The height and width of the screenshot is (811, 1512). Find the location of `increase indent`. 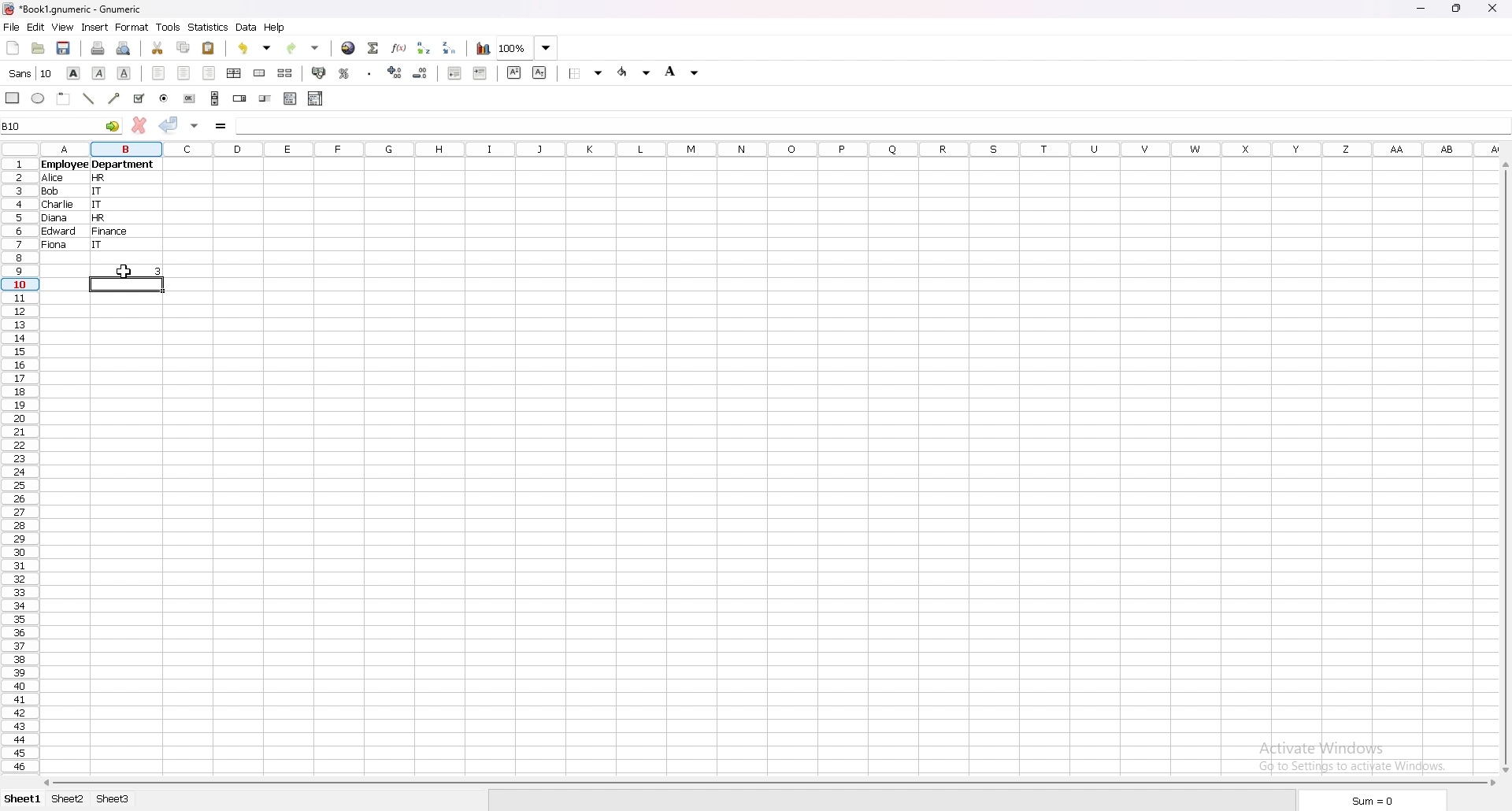

increase indent is located at coordinates (480, 73).